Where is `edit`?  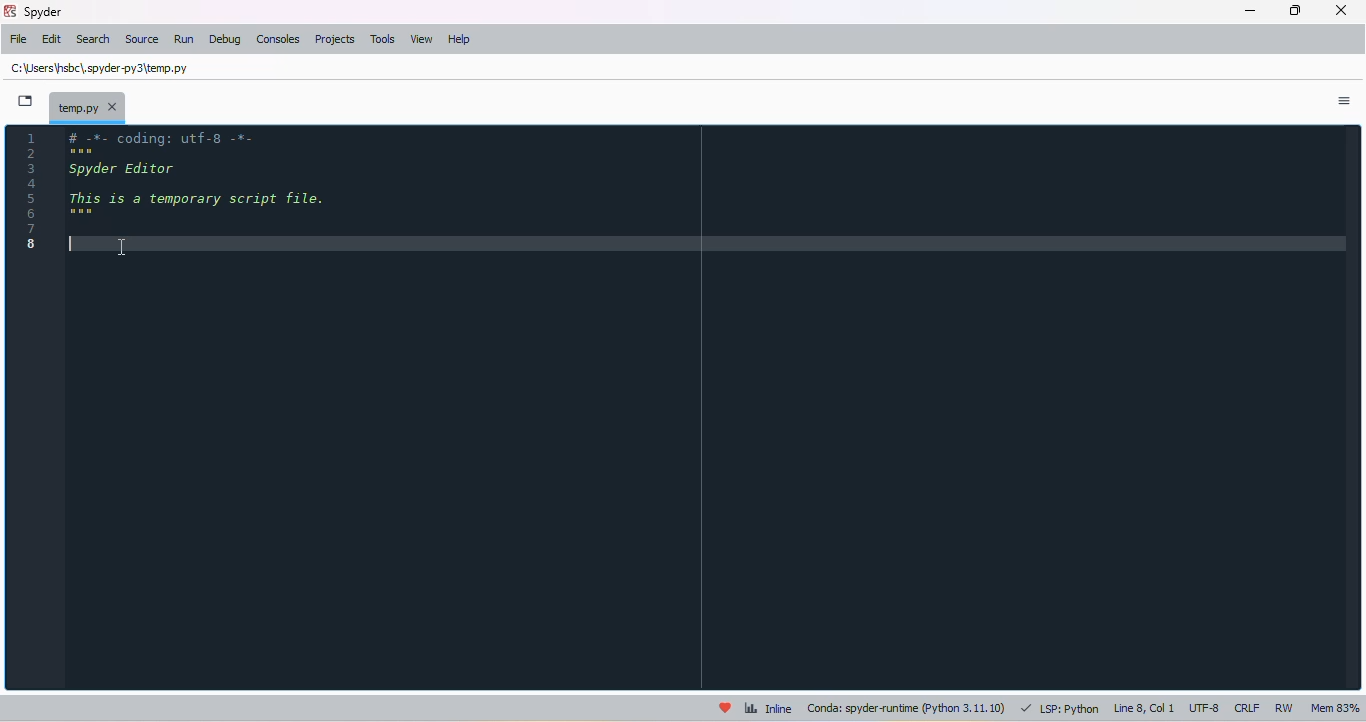
edit is located at coordinates (53, 39).